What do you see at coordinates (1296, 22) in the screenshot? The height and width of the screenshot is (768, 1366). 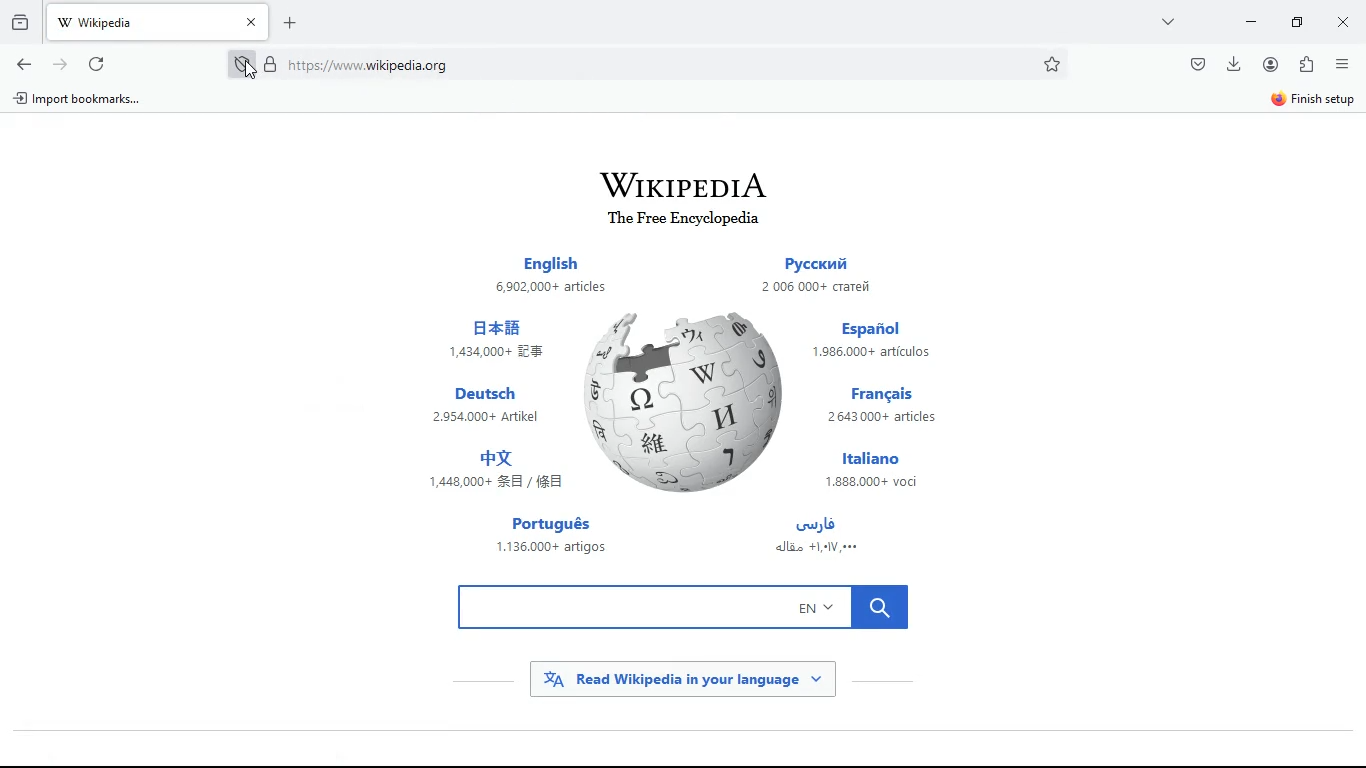 I see `maximize` at bounding box center [1296, 22].